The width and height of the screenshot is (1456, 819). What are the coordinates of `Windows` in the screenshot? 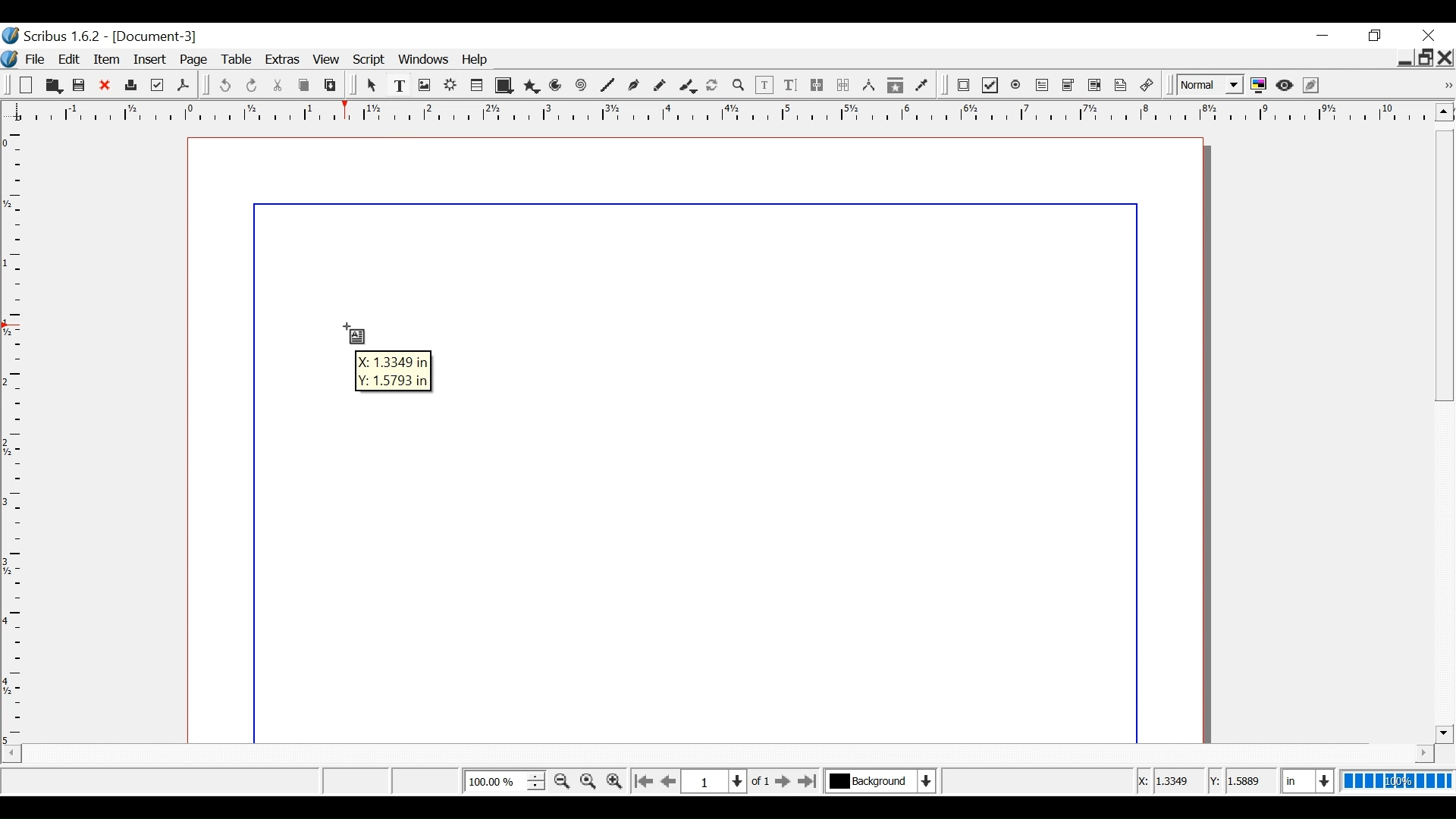 It's located at (425, 59).